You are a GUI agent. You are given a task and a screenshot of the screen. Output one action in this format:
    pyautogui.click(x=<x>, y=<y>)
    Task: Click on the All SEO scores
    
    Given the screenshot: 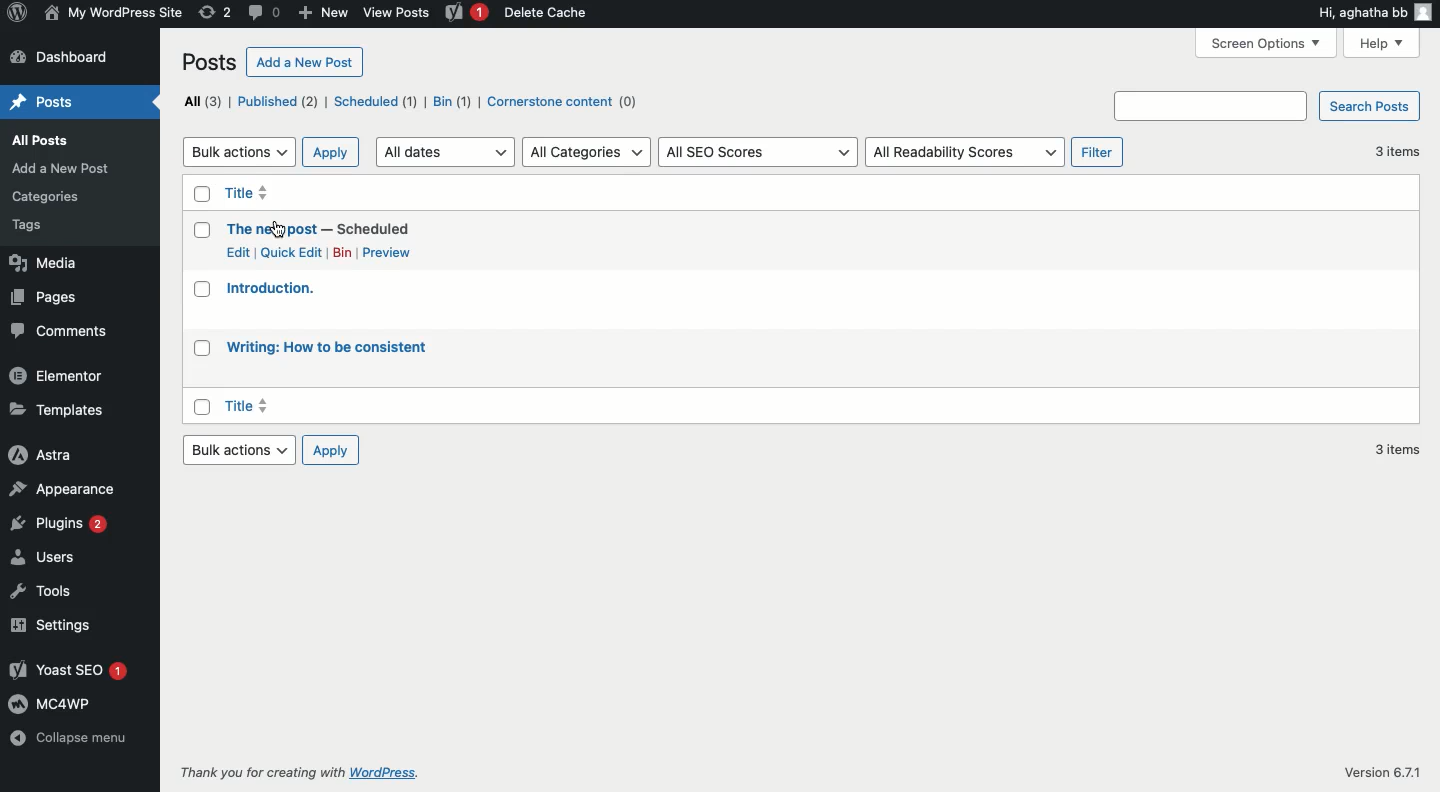 What is the action you would take?
    pyautogui.click(x=757, y=151)
    